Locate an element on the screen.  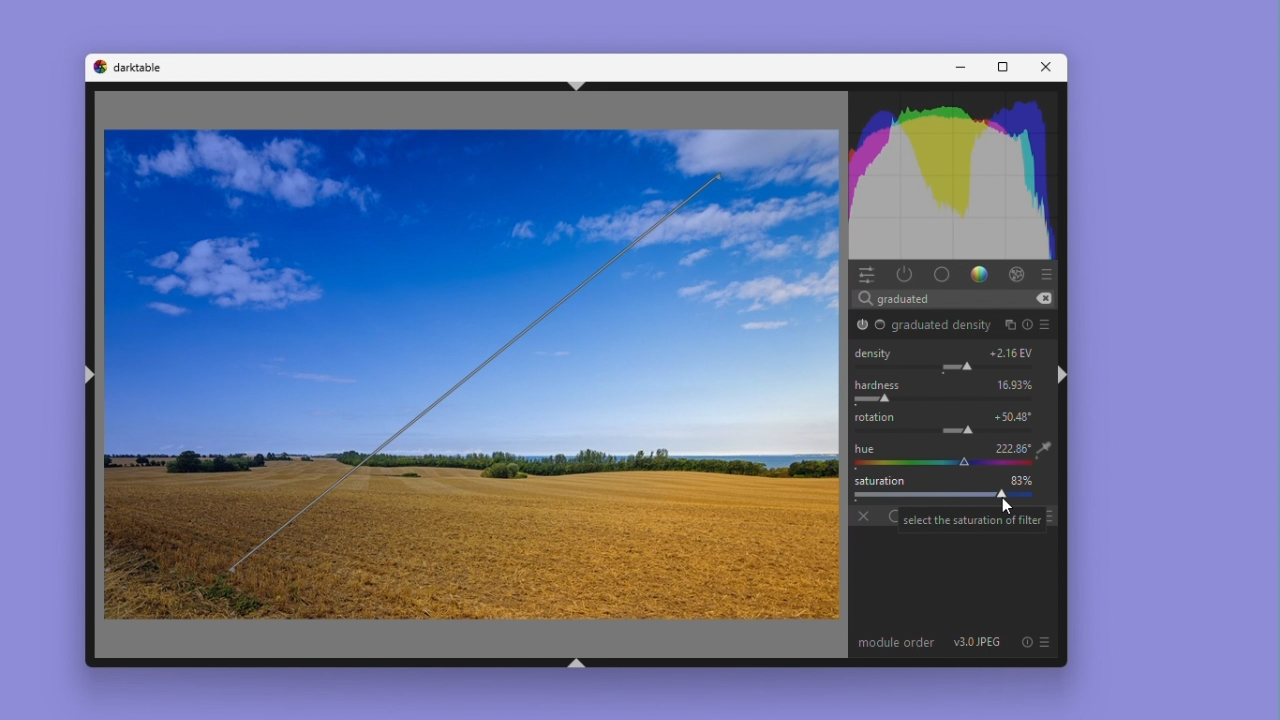
shift+ctrl+b is located at coordinates (578, 665).